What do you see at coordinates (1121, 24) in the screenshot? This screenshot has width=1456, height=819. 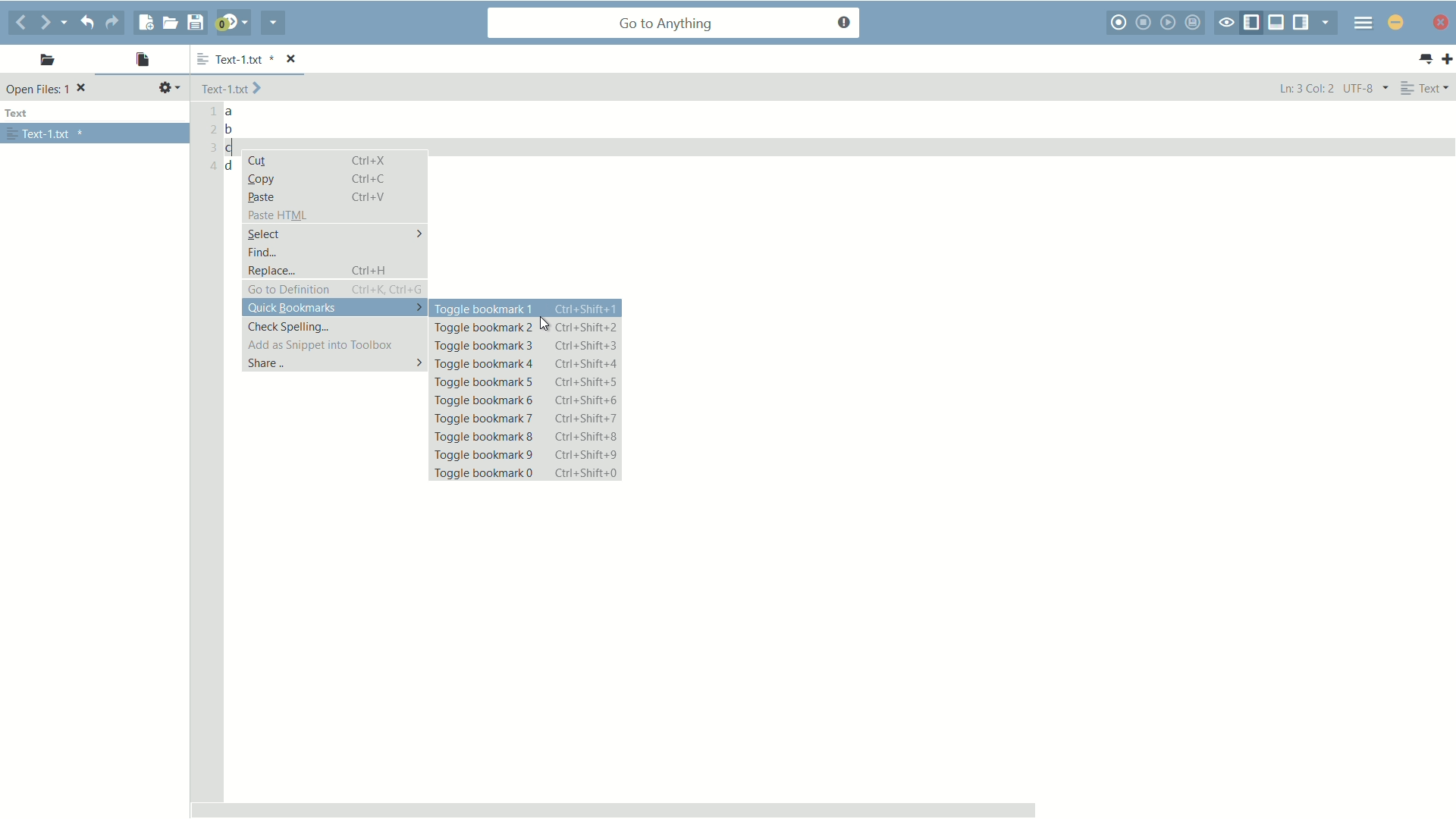 I see `start macro` at bounding box center [1121, 24].